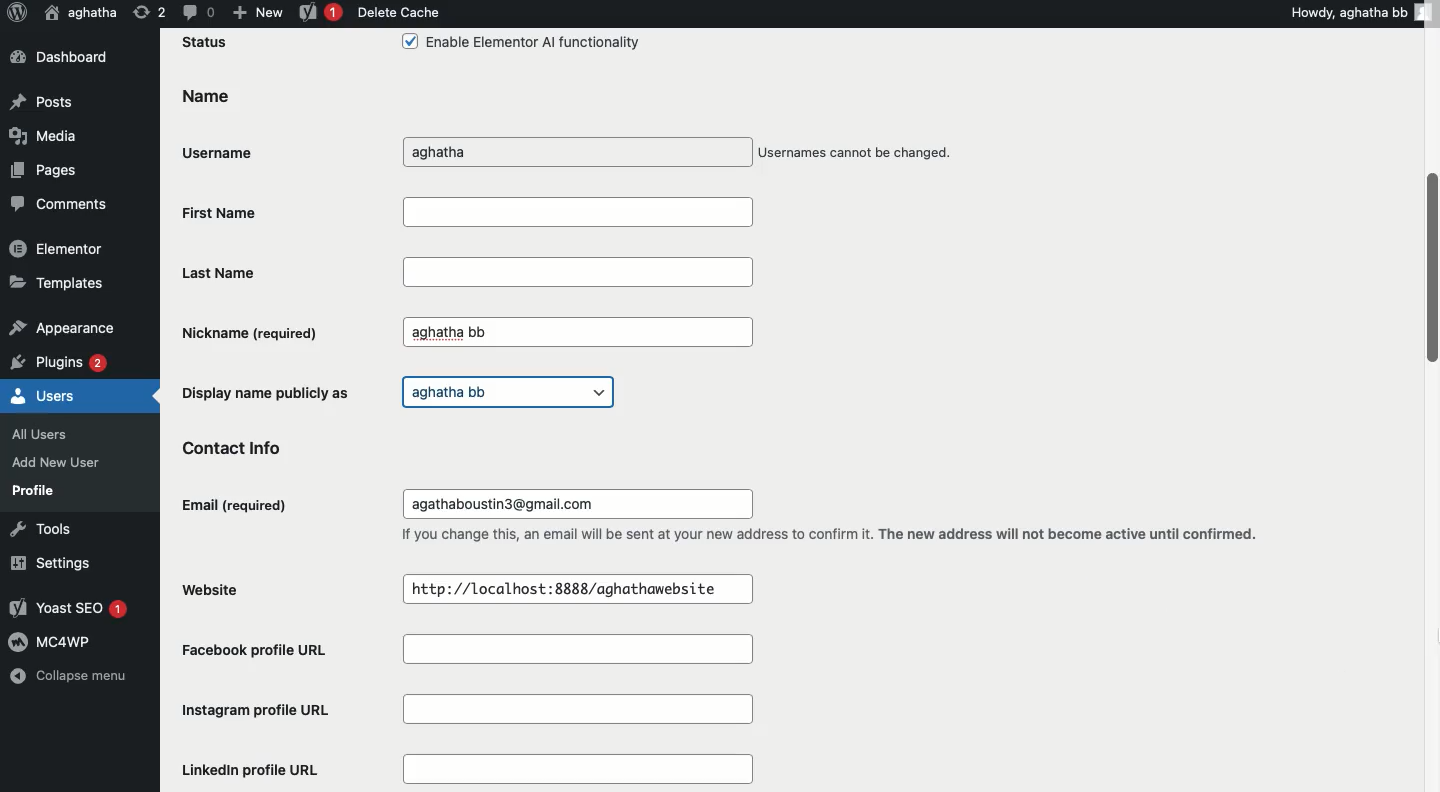 Image resolution: width=1440 pixels, height=792 pixels. I want to click on MC4WP, so click(54, 640).